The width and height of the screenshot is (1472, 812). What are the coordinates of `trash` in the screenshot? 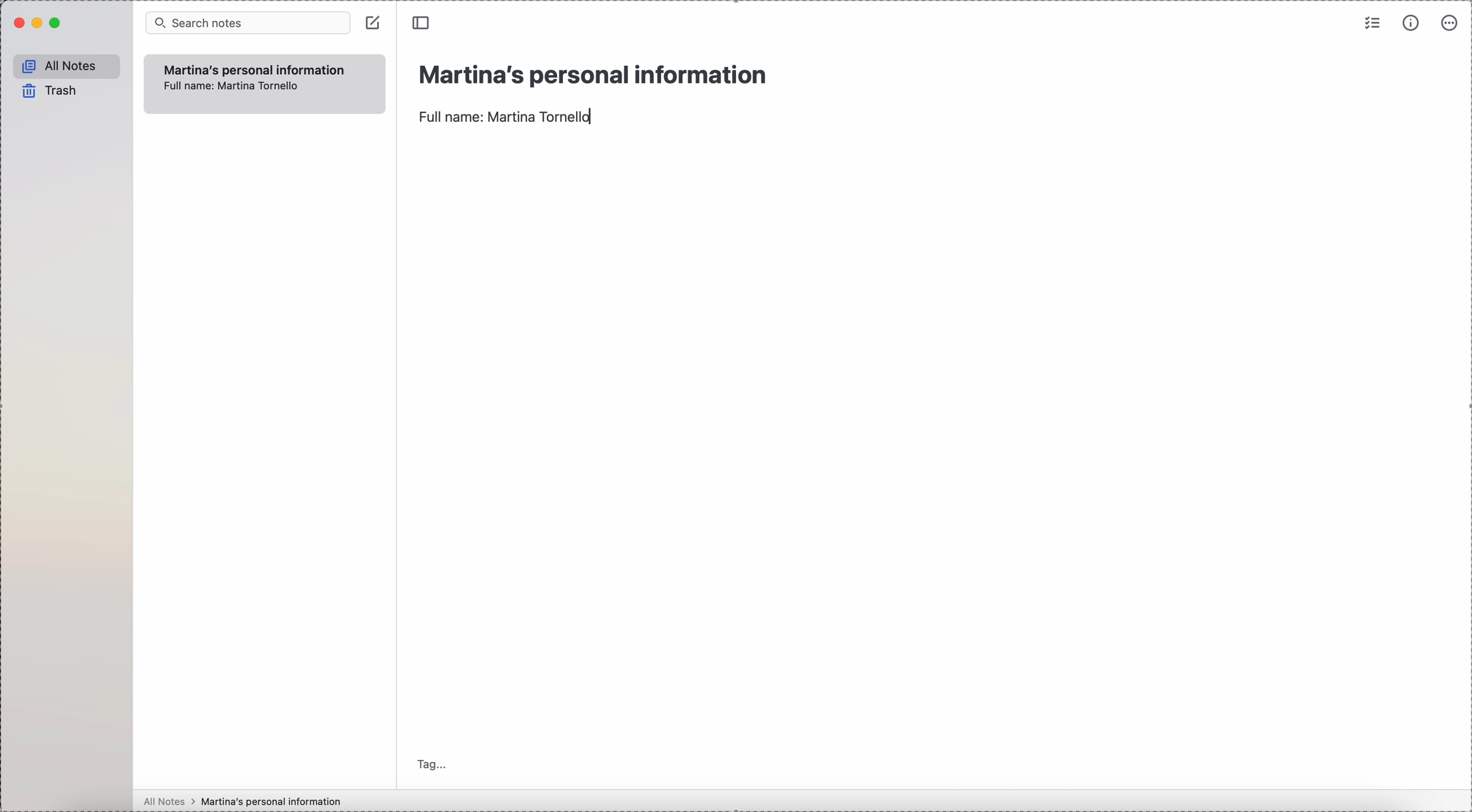 It's located at (47, 90).